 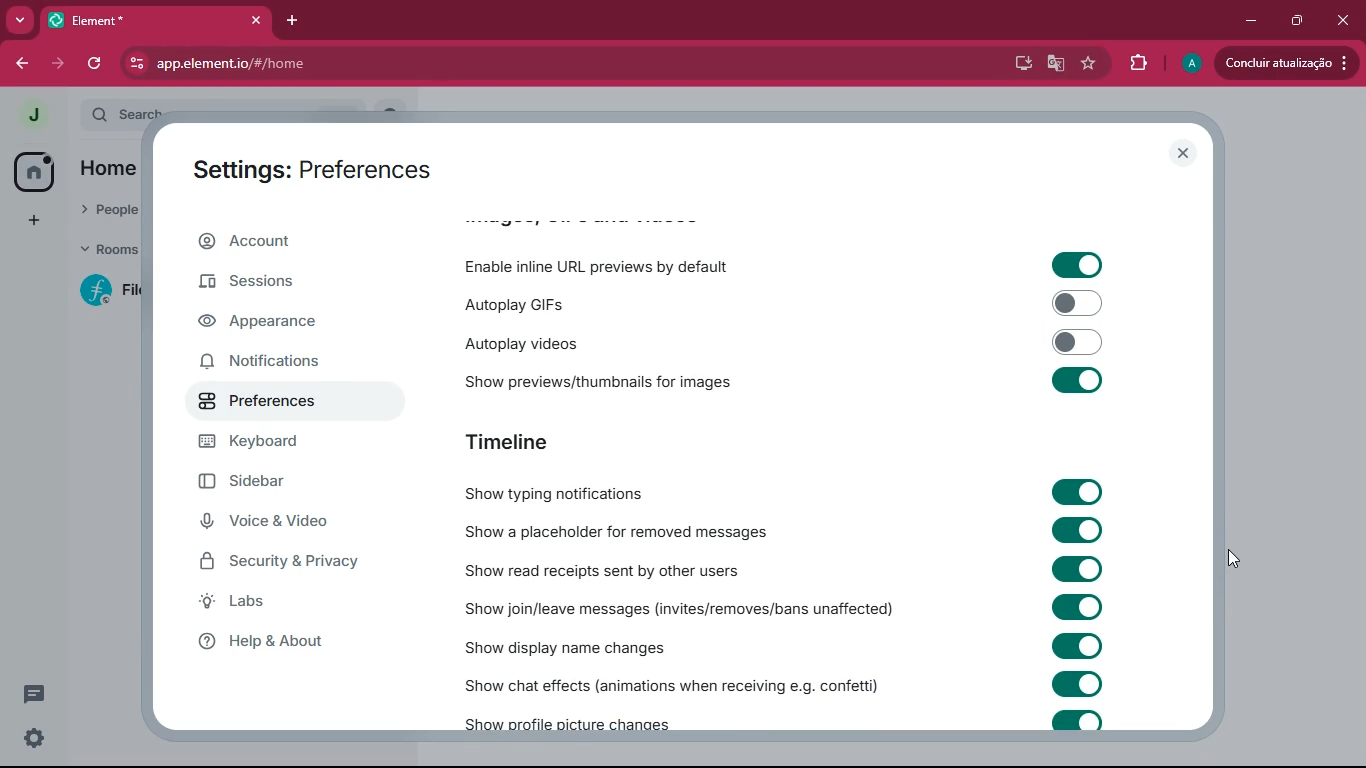 What do you see at coordinates (586, 494) in the screenshot?
I see `show typing notifications` at bounding box center [586, 494].